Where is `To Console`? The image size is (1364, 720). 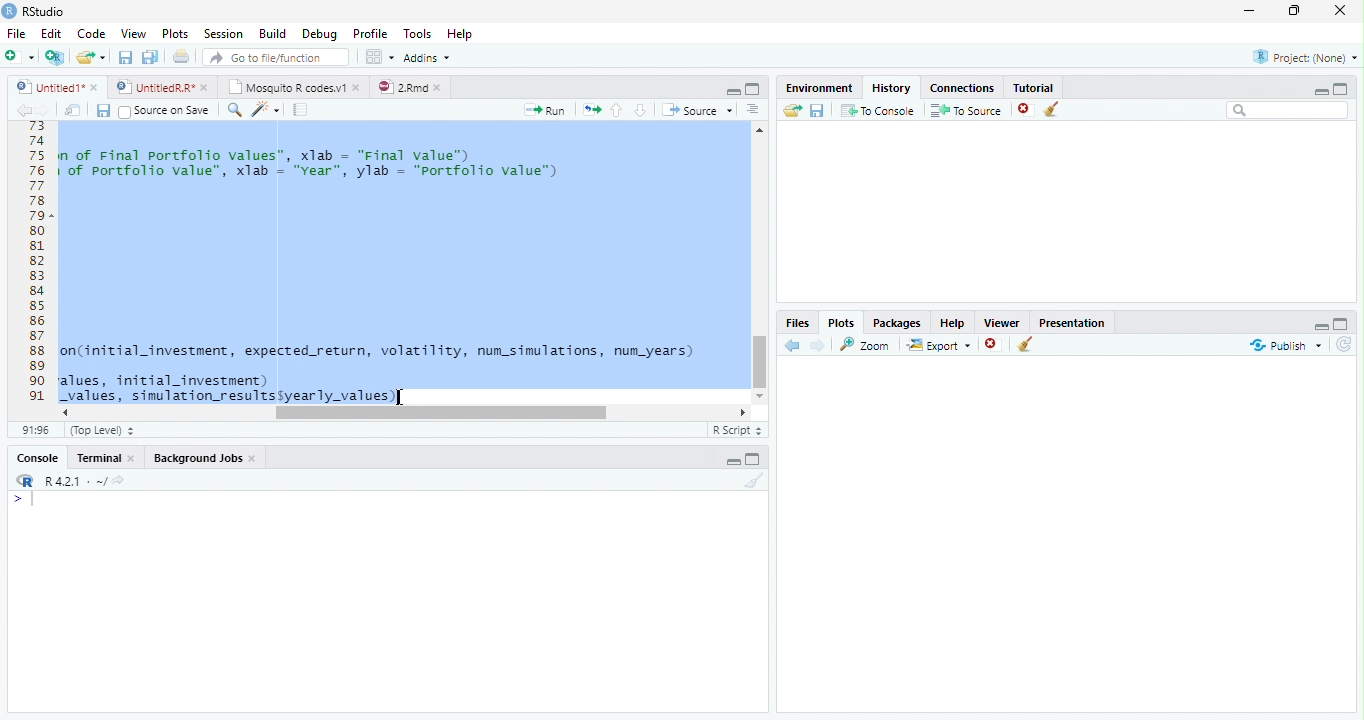 To Console is located at coordinates (877, 110).